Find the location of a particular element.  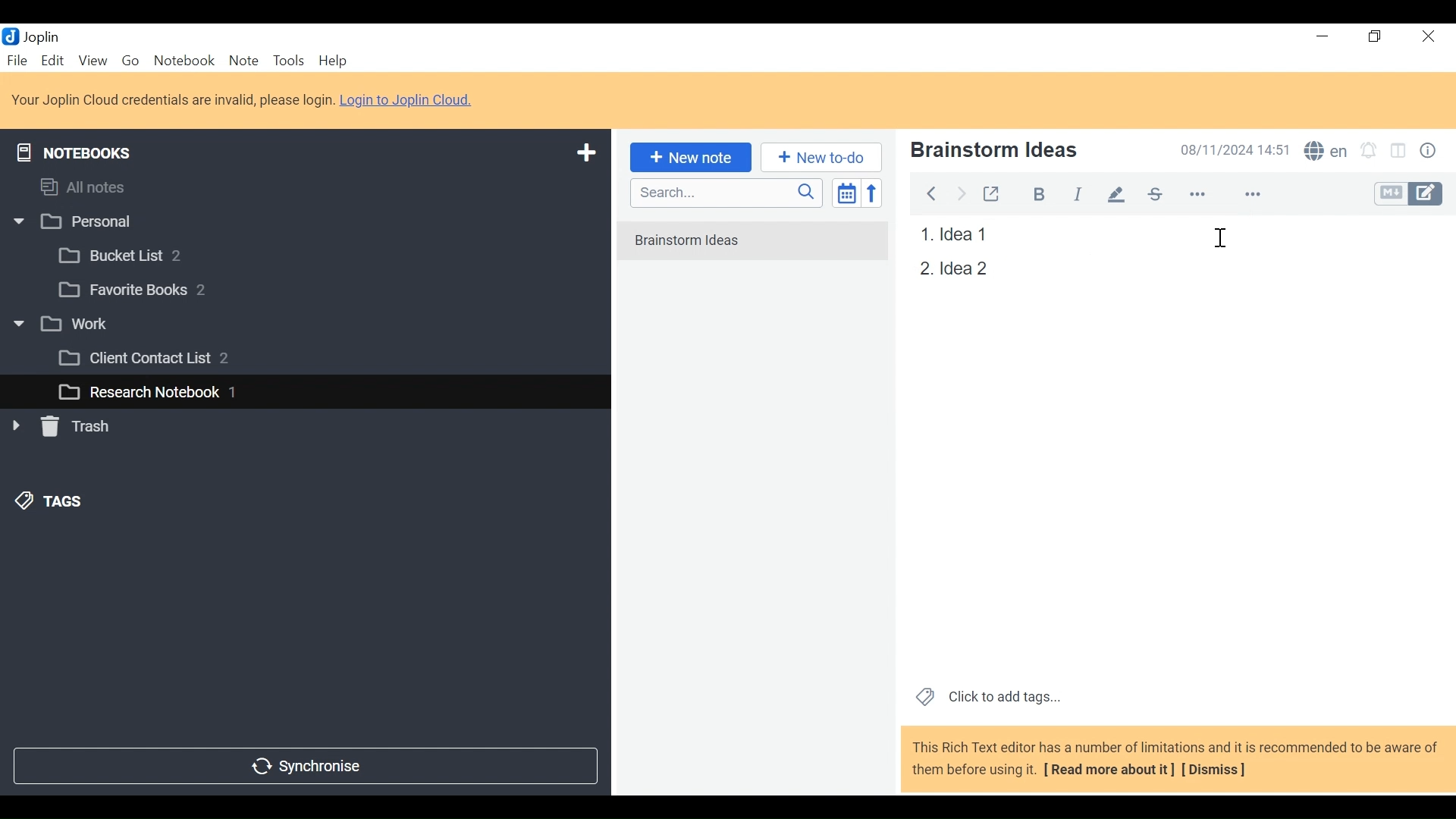

This Rich Text editor has a number of limitations and it is recommended to be aware of
them before using it. [ Read more about it] [Dismiss] is located at coordinates (1175, 758).